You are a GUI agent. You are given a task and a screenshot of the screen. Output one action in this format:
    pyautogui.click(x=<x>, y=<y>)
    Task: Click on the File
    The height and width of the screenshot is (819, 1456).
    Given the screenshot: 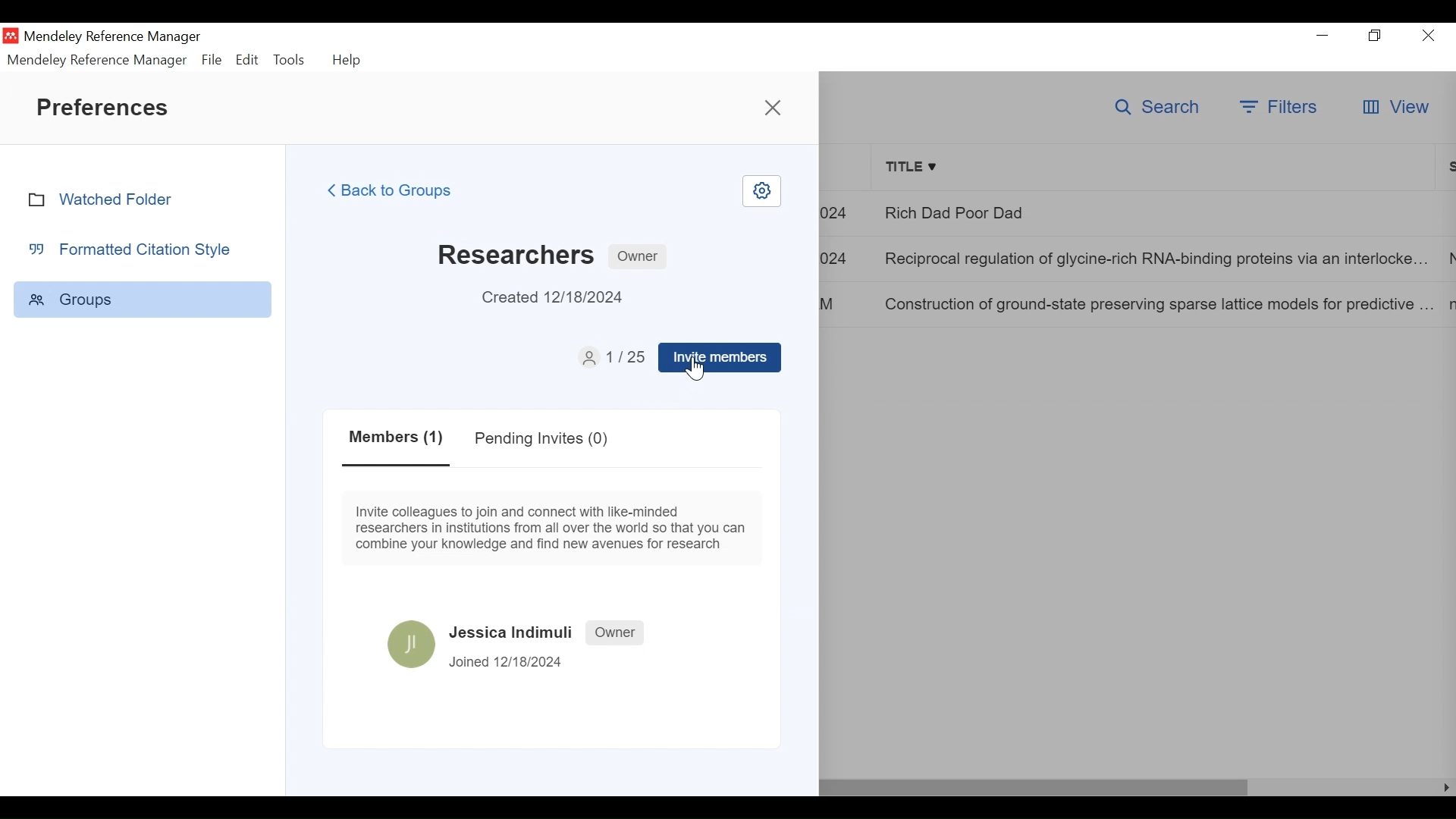 What is the action you would take?
    pyautogui.click(x=212, y=60)
    